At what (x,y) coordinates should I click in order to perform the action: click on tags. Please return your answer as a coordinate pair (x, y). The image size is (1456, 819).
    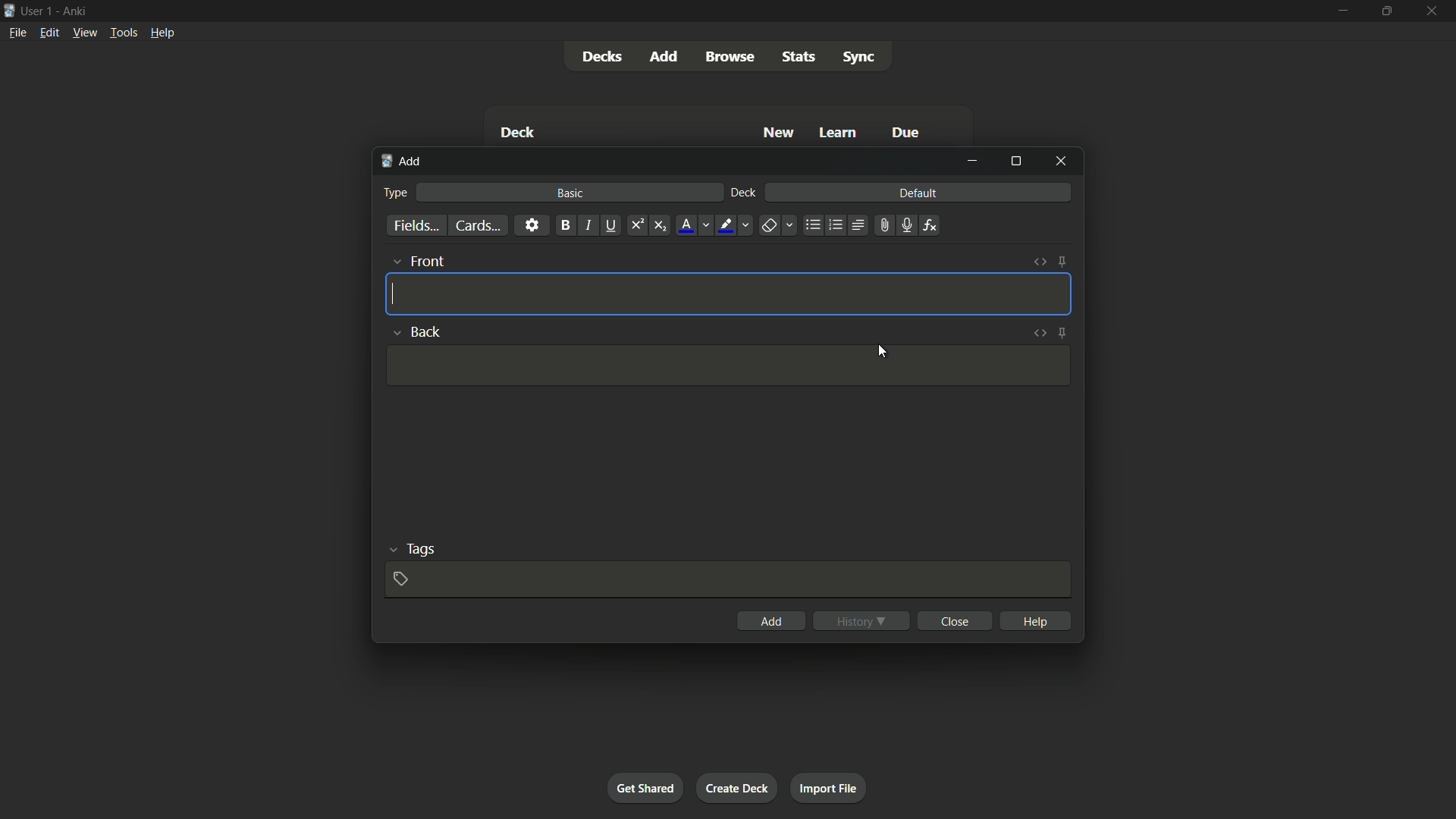
    Looking at the image, I should click on (413, 548).